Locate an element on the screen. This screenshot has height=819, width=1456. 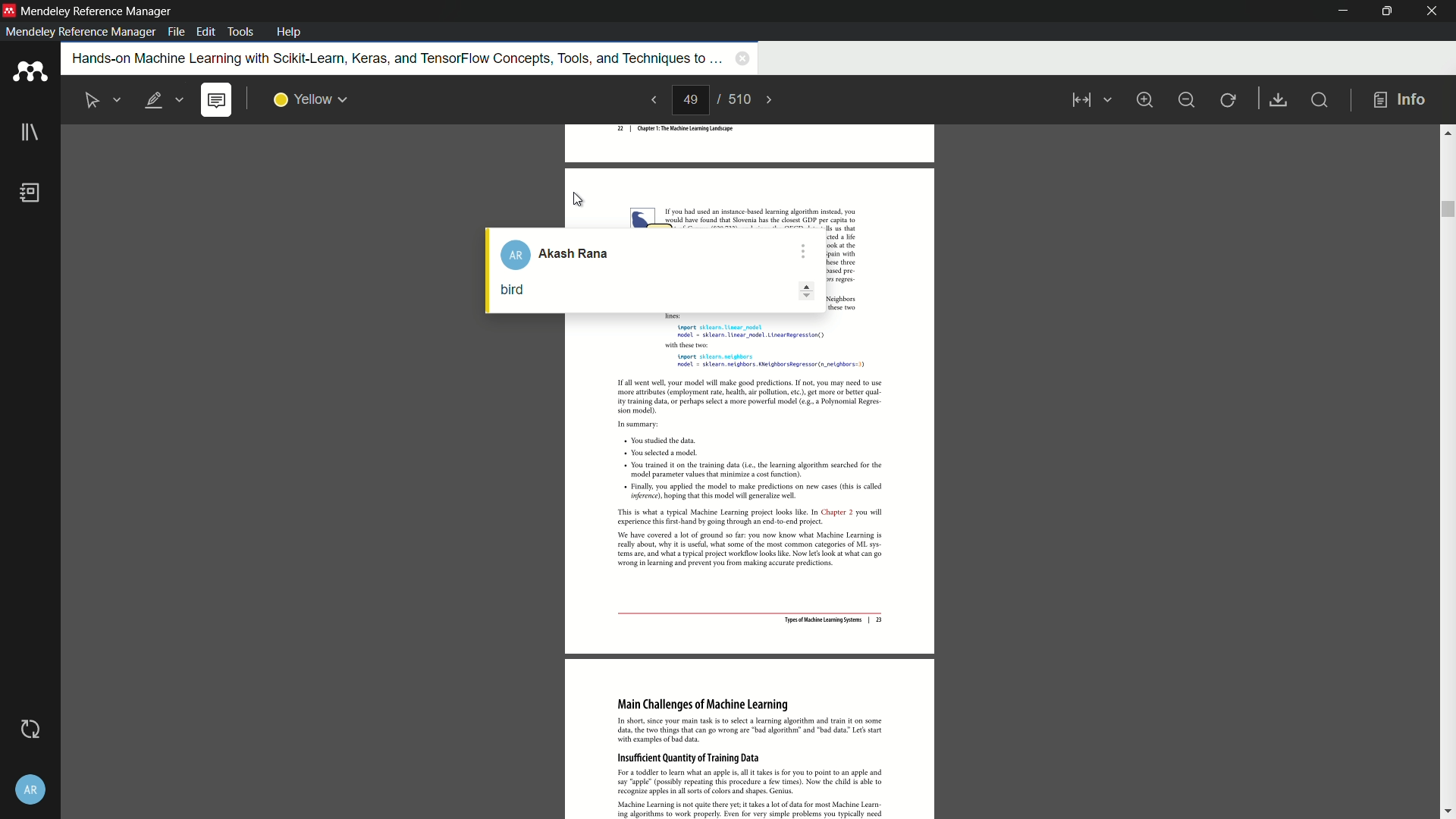
maximize is located at coordinates (1384, 11).